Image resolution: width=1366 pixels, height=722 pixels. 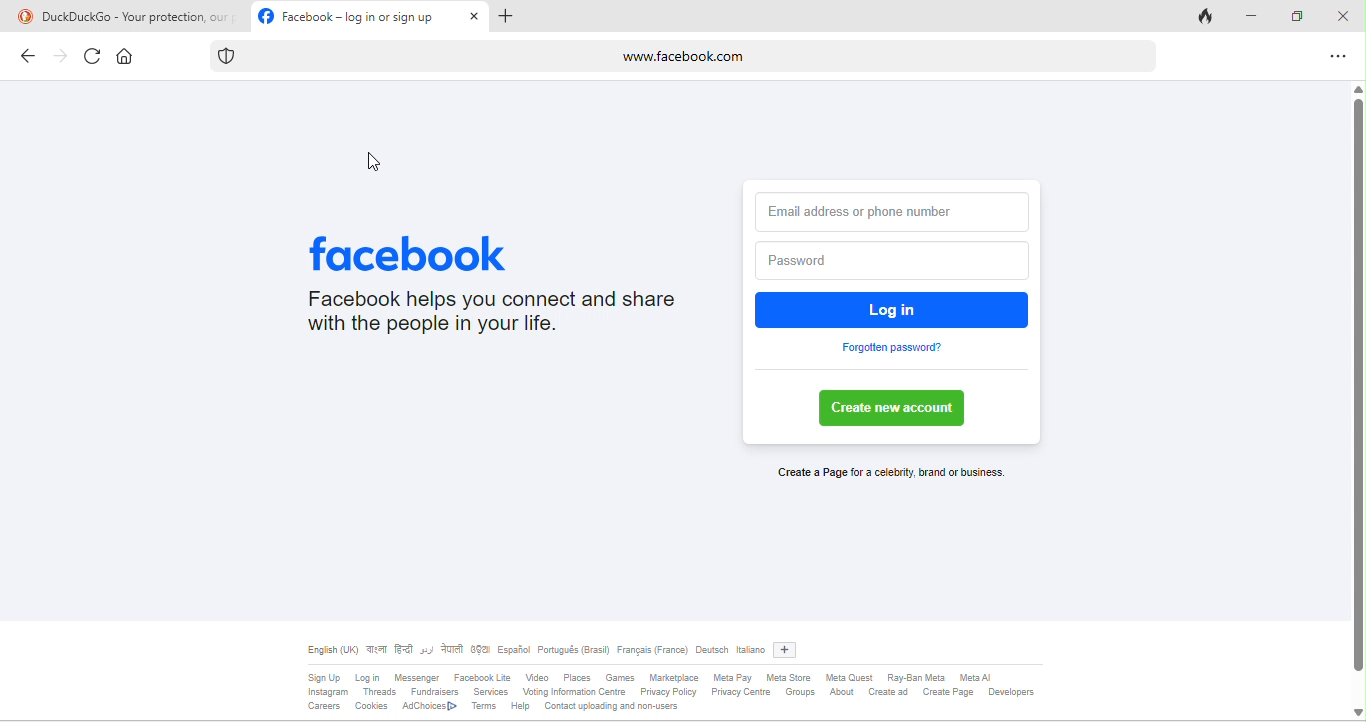 I want to click on home, so click(x=125, y=57).